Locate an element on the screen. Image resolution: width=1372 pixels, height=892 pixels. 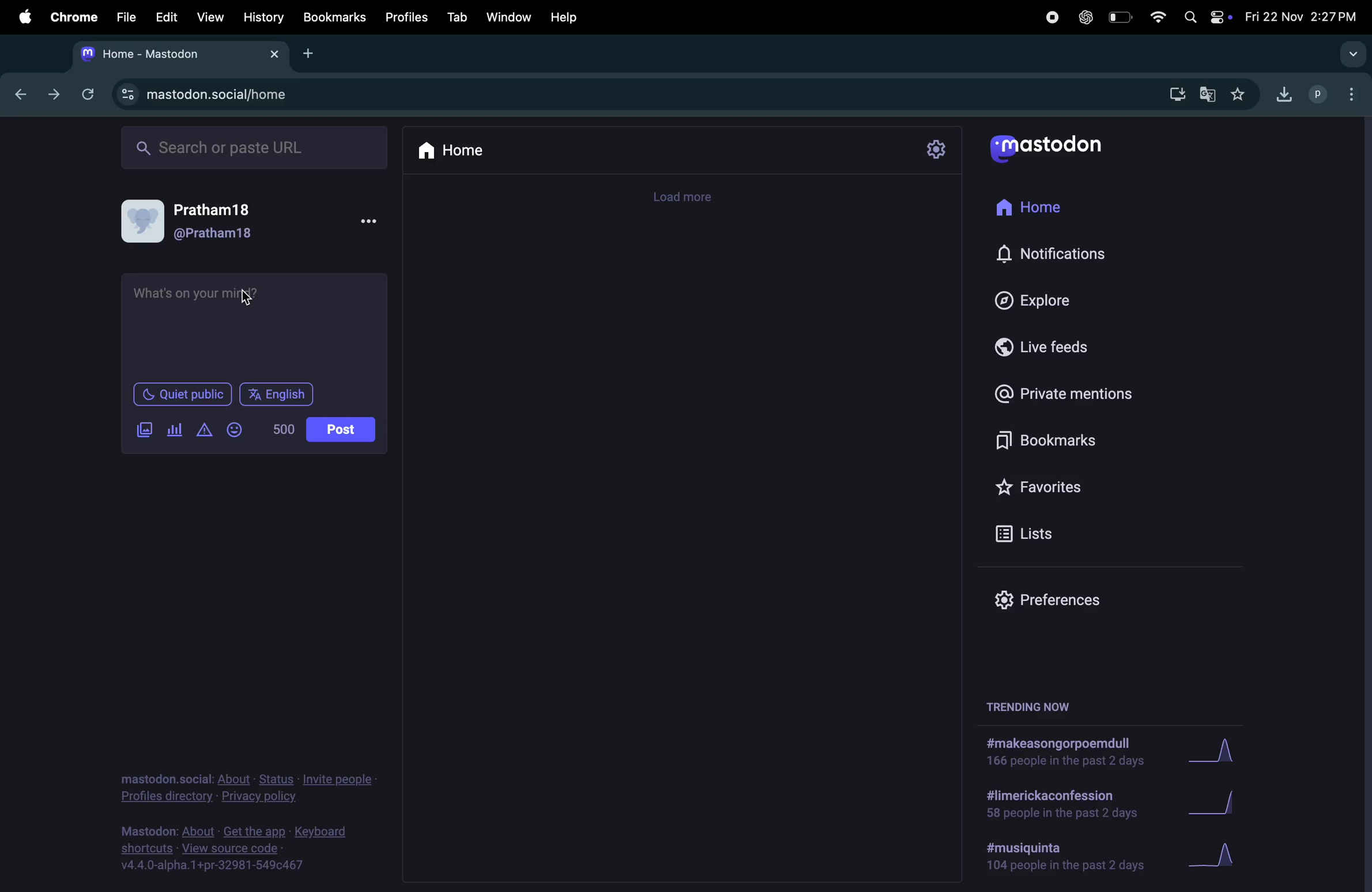
quiet public is located at coordinates (183, 395).